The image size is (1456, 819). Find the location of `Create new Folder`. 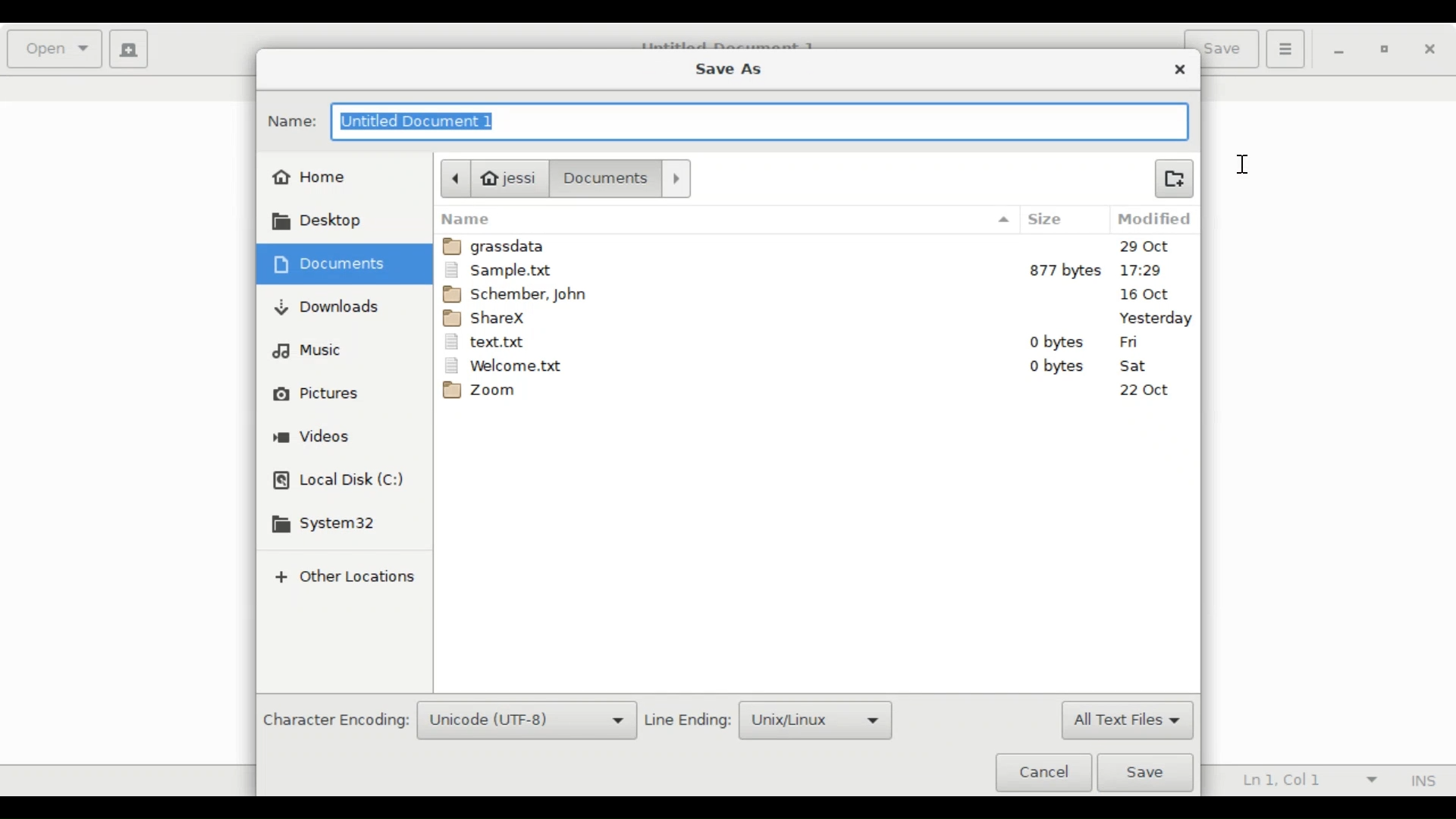

Create new Folder is located at coordinates (1173, 177).